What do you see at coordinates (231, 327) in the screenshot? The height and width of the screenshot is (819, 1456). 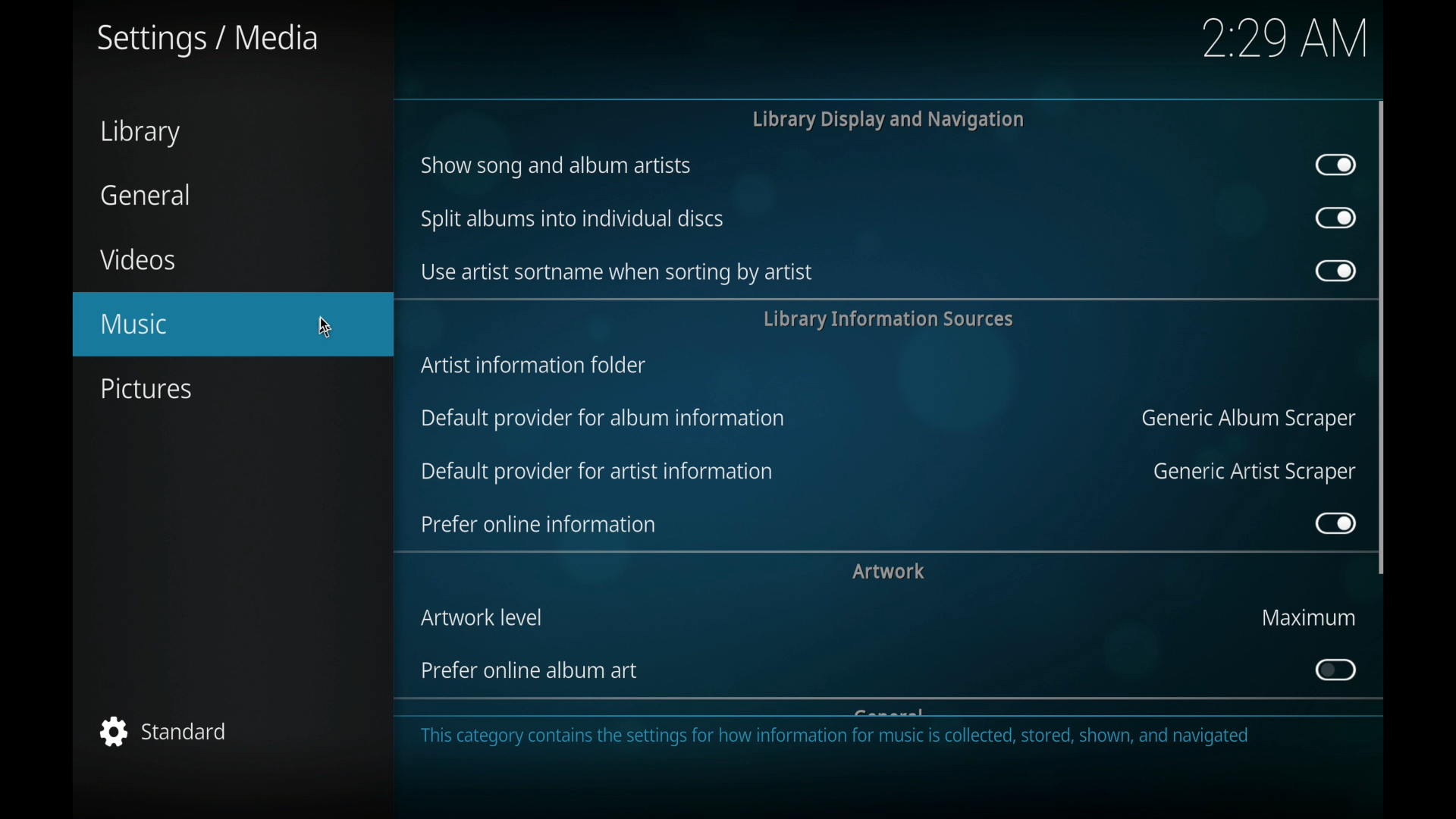 I see `music ` at bounding box center [231, 327].